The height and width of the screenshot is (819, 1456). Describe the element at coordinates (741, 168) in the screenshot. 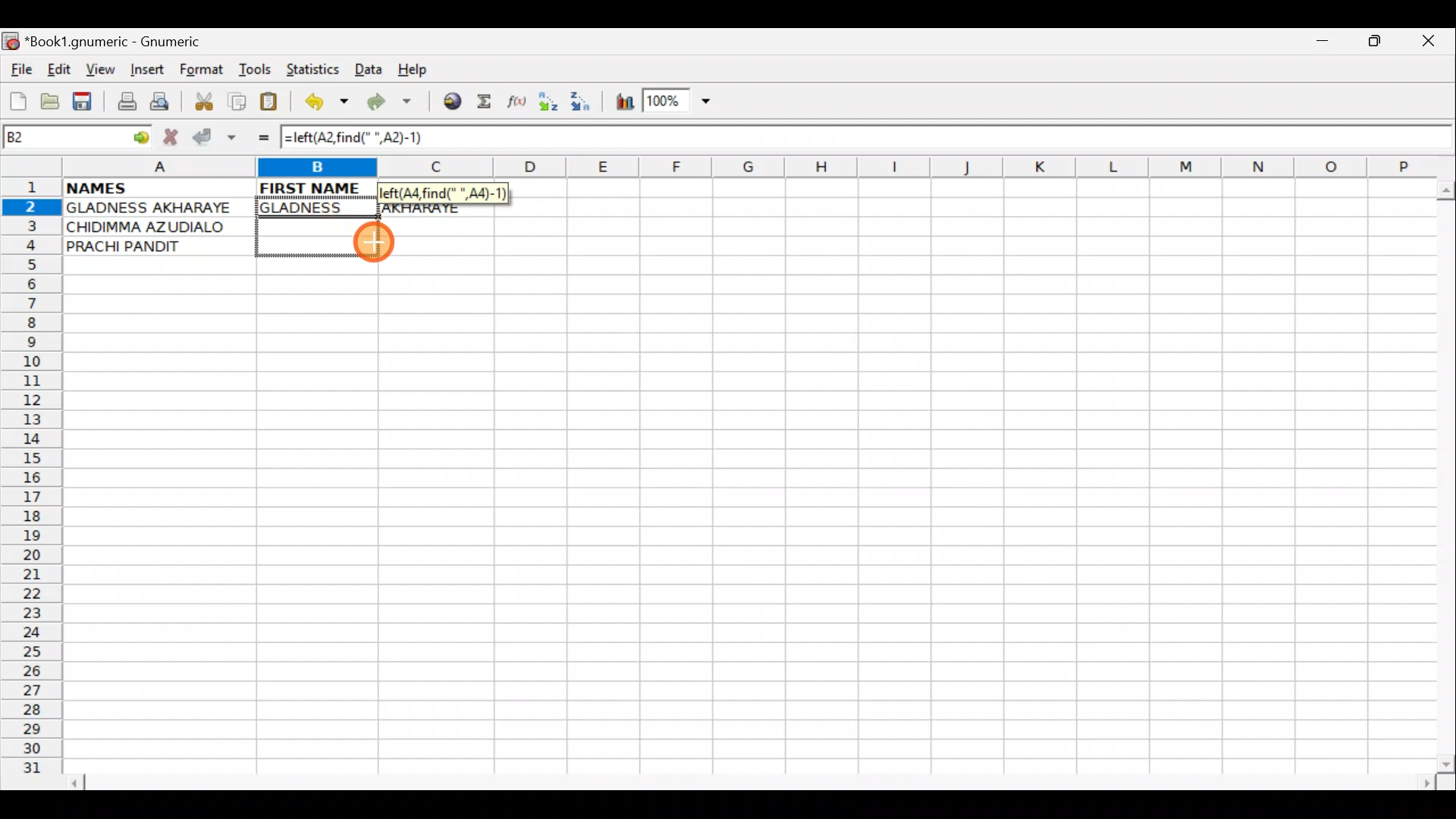

I see `Columns` at that location.